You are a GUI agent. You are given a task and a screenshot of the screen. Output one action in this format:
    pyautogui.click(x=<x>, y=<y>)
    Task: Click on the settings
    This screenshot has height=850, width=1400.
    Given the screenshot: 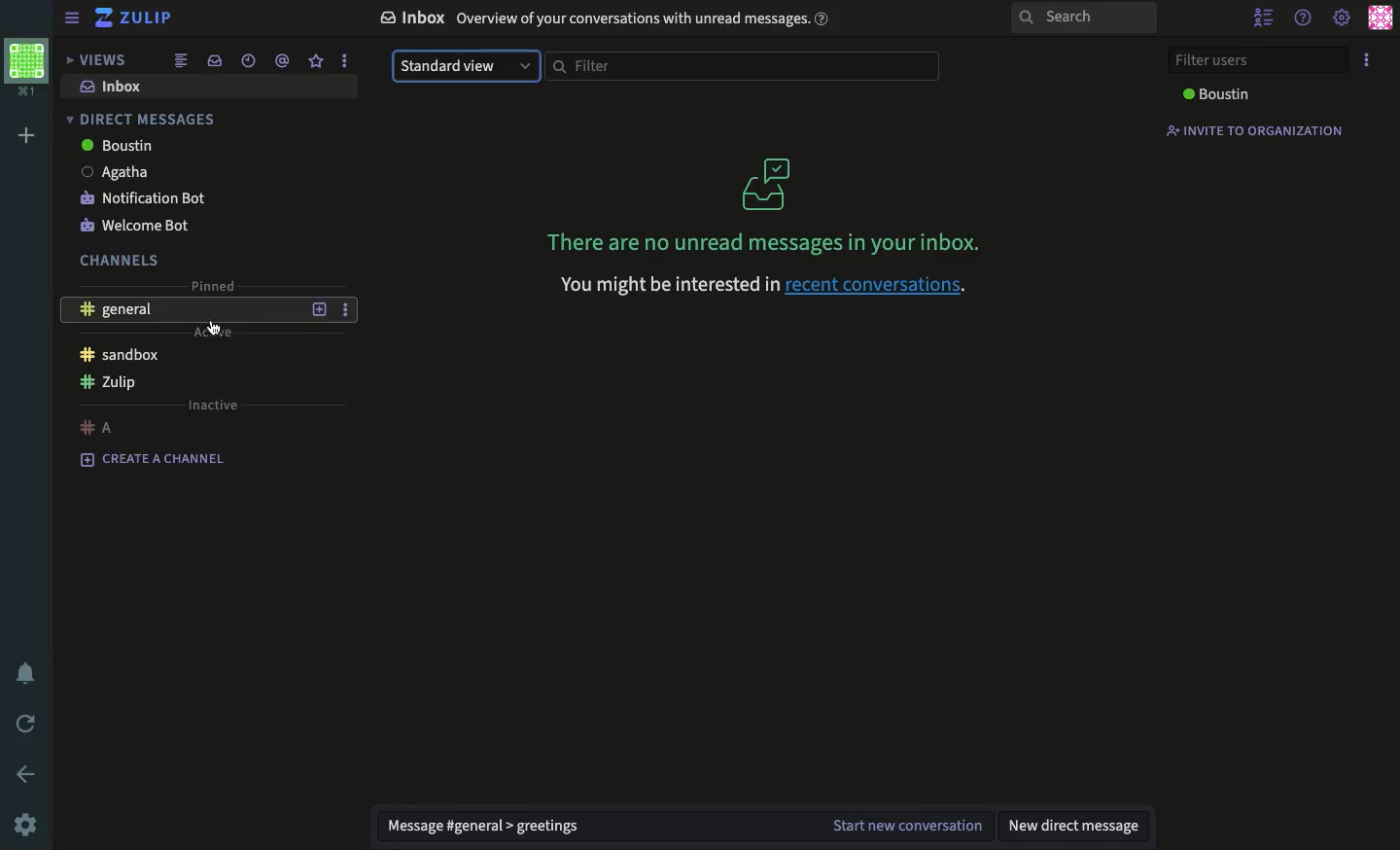 What is the action you would take?
    pyautogui.click(x=24, y=827)
    